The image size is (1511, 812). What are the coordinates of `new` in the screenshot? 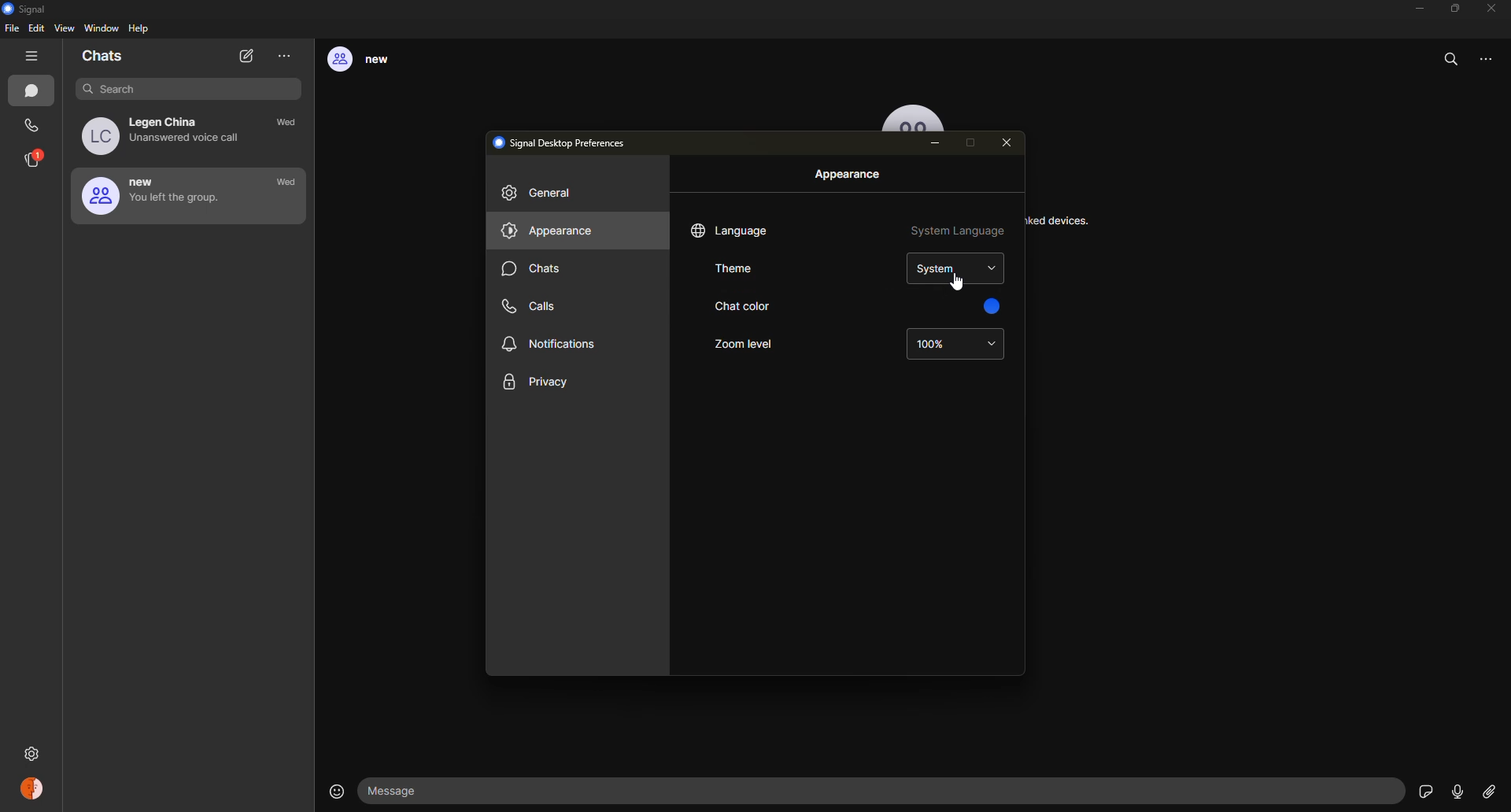 It's located at (157, 195).